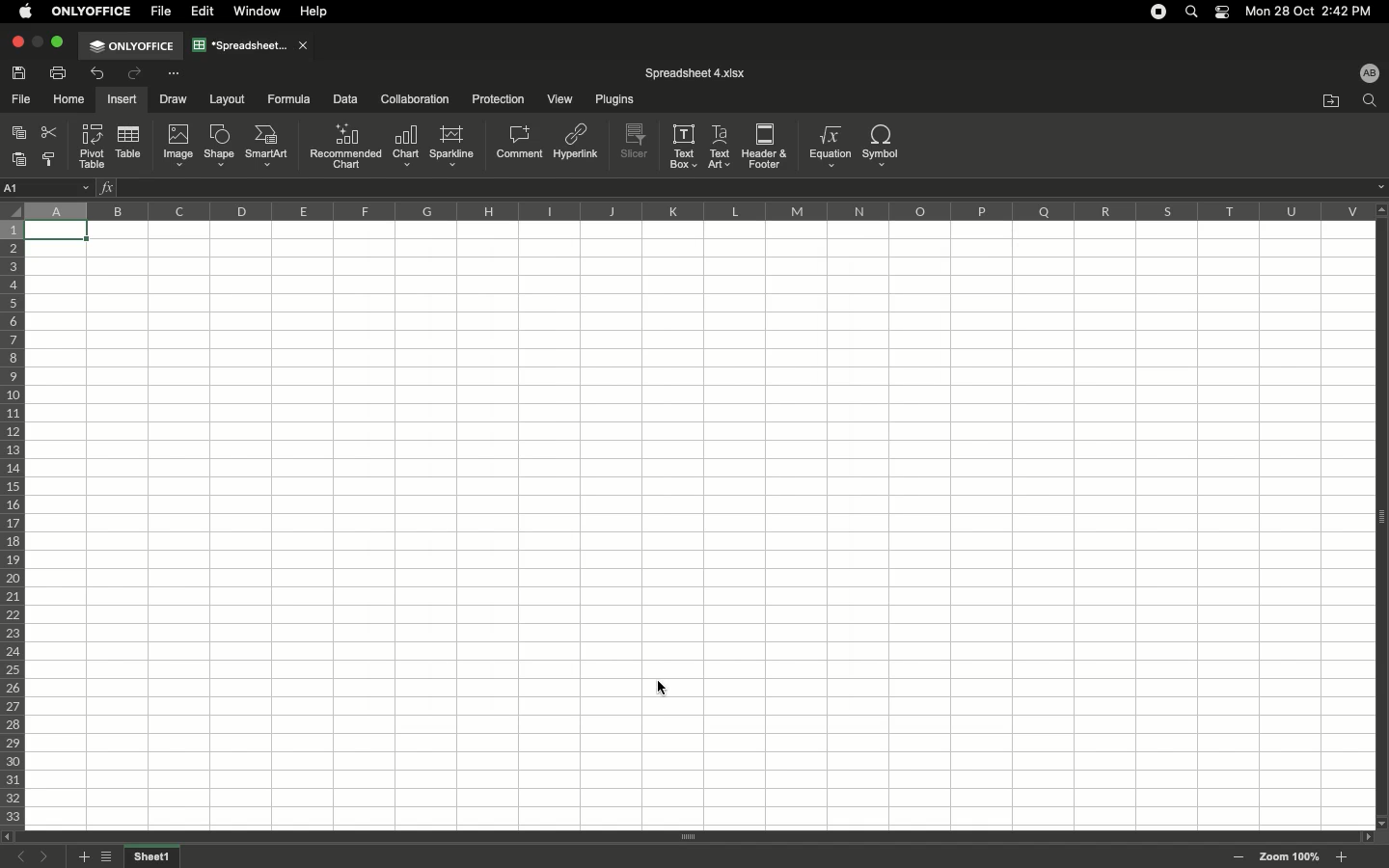 This screenshot has height=868, width=1389. I want to click on Slicer, so click(637, 142).